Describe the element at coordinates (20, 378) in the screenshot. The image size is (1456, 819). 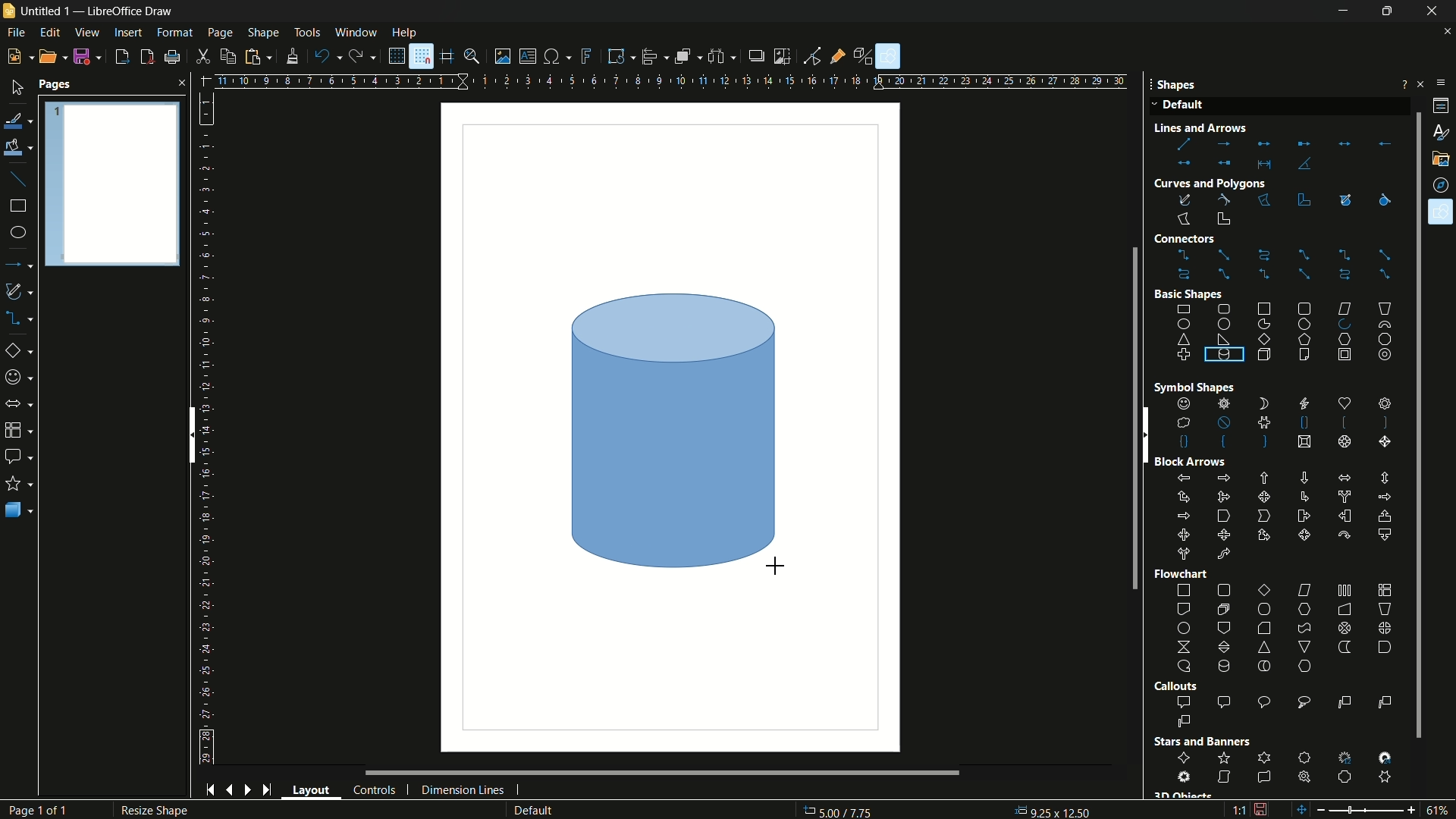
I see `symbol shapes` at that location.